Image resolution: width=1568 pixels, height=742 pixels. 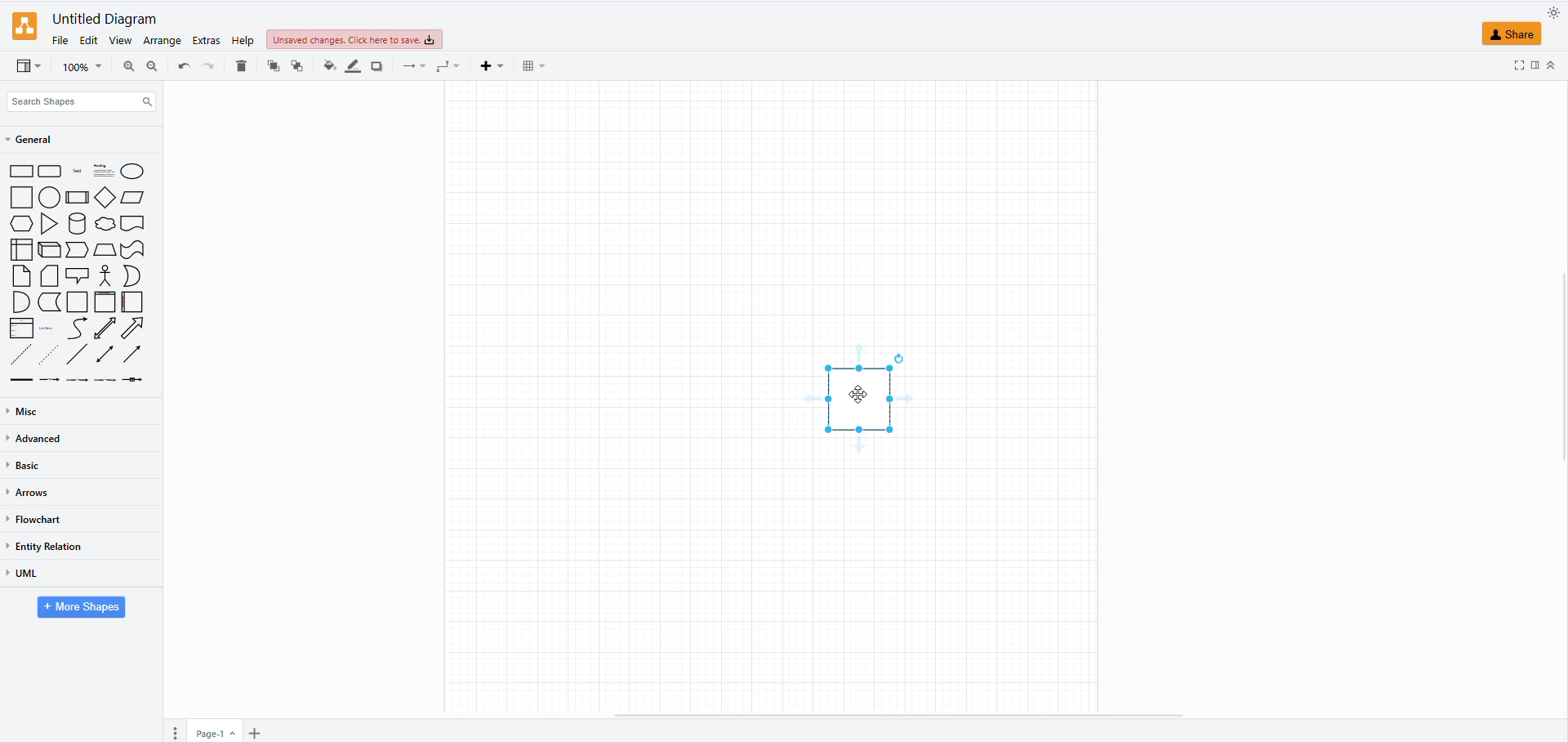 I want to click on bidirectional connector, so click(x=105, y=355).